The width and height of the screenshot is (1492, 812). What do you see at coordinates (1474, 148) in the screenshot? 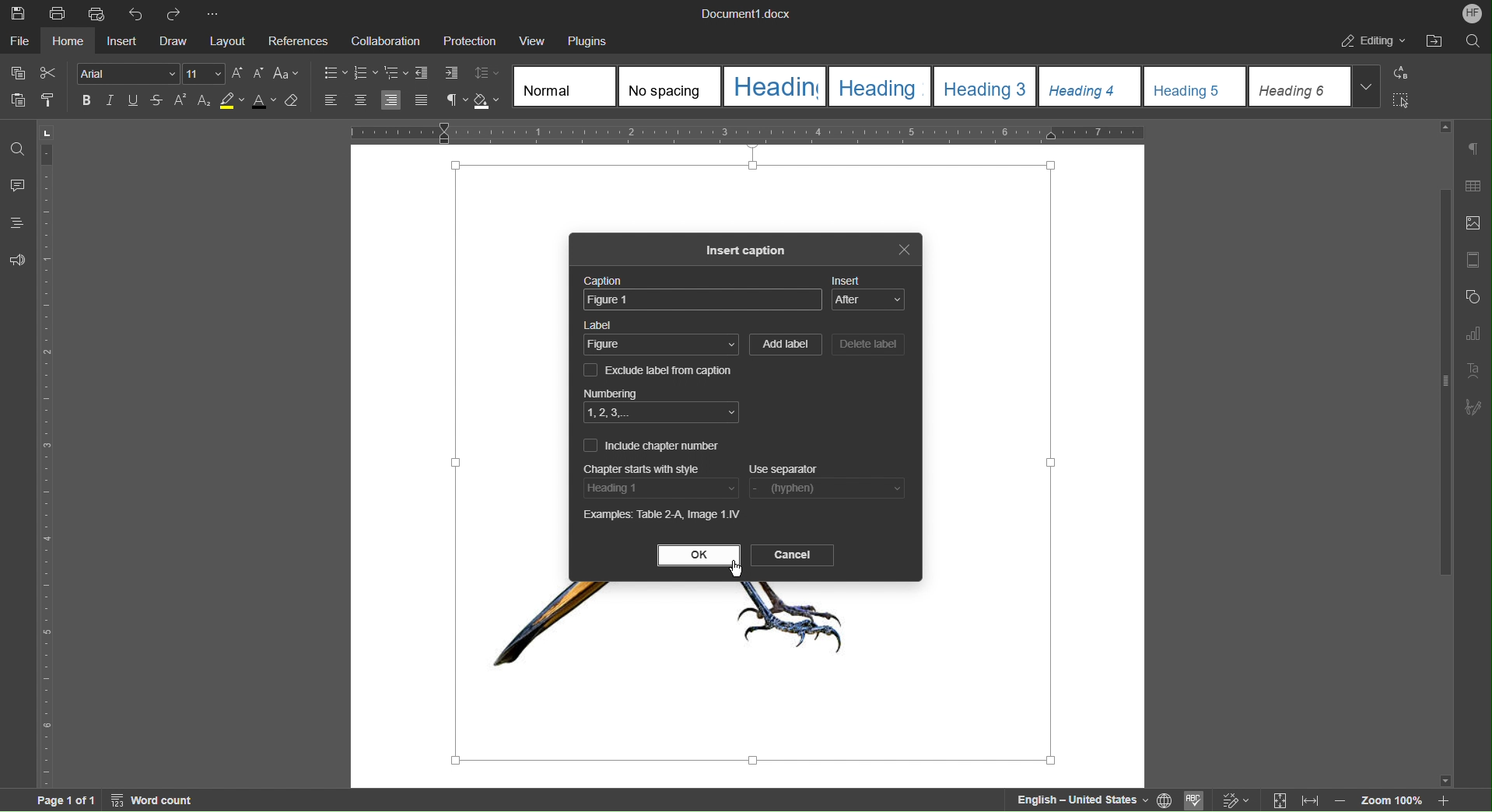
I see `Non-Printing Characters` at bounding box center [1474, 148].